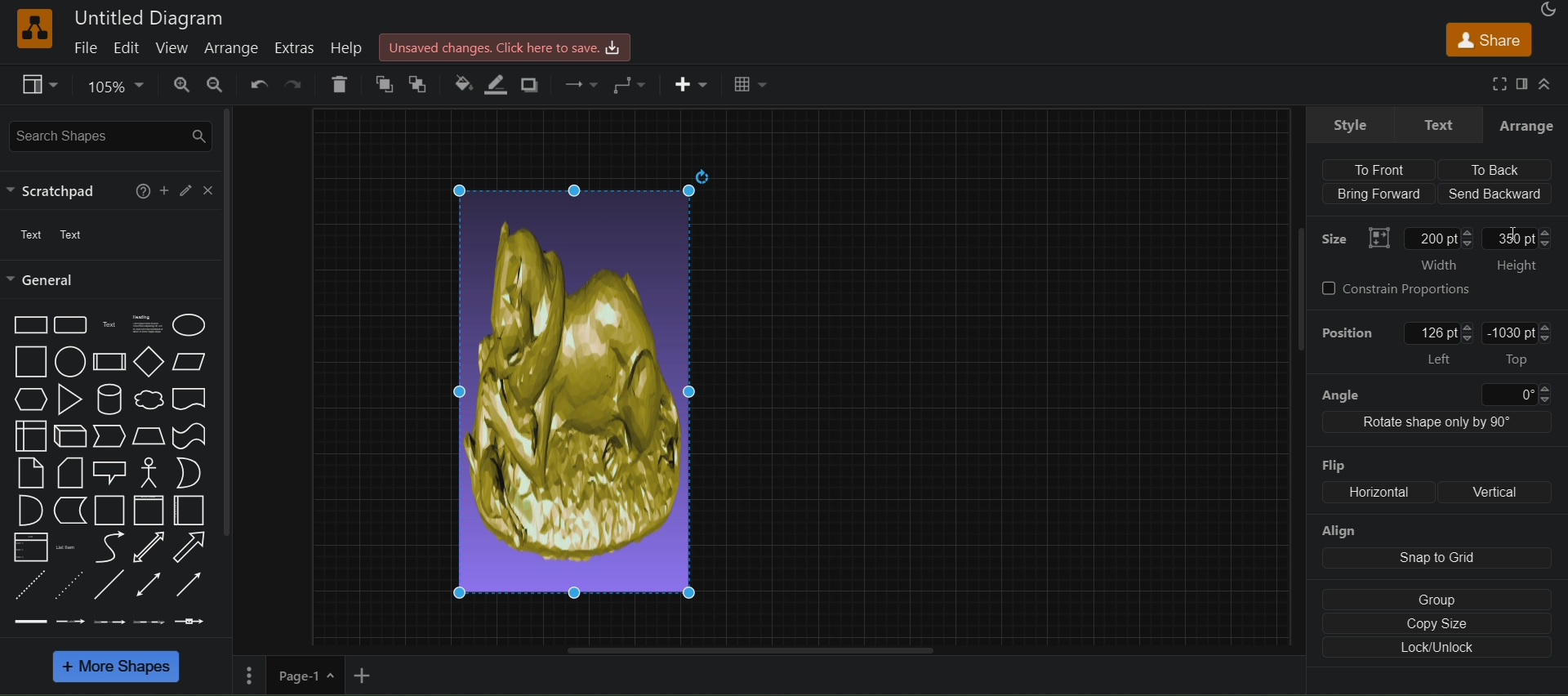 The width and height of the screenshot is (1568, 696). I want to click on Add, so click(162, 191).